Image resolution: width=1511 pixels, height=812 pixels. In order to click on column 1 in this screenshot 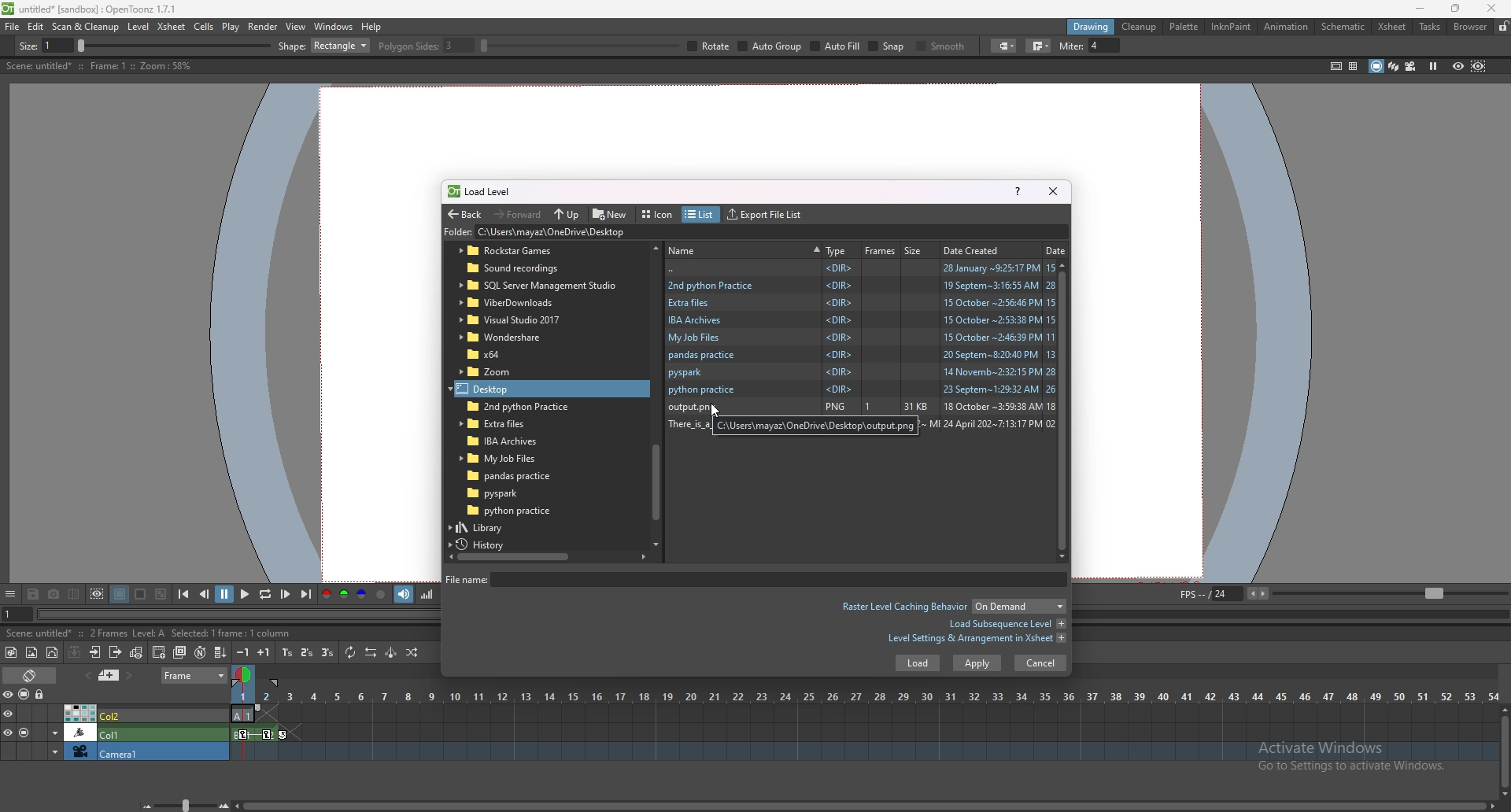, I will do `click(115, 732)`.